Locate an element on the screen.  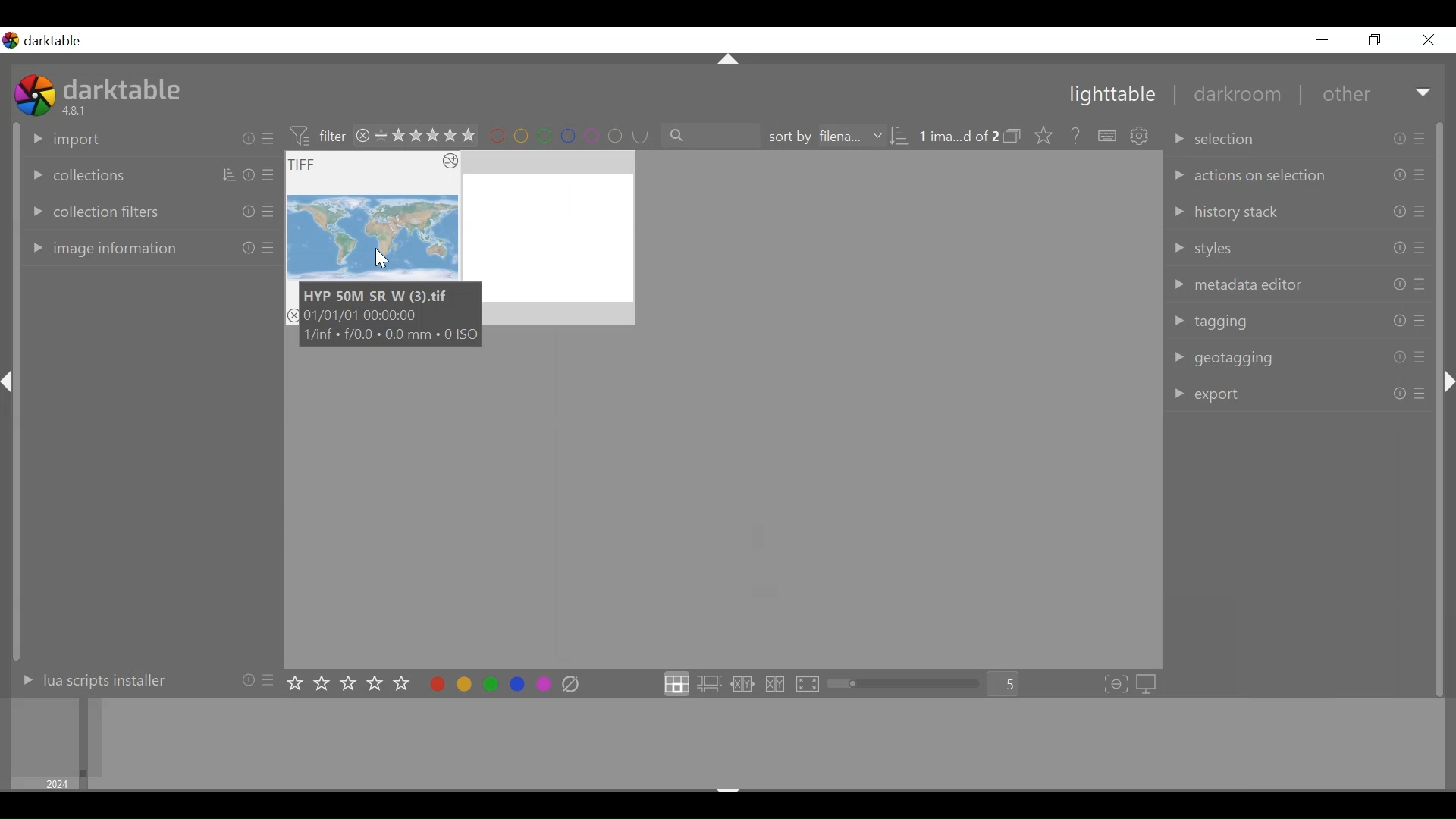
collapse grouped image is located at coordinates (1014, 136).